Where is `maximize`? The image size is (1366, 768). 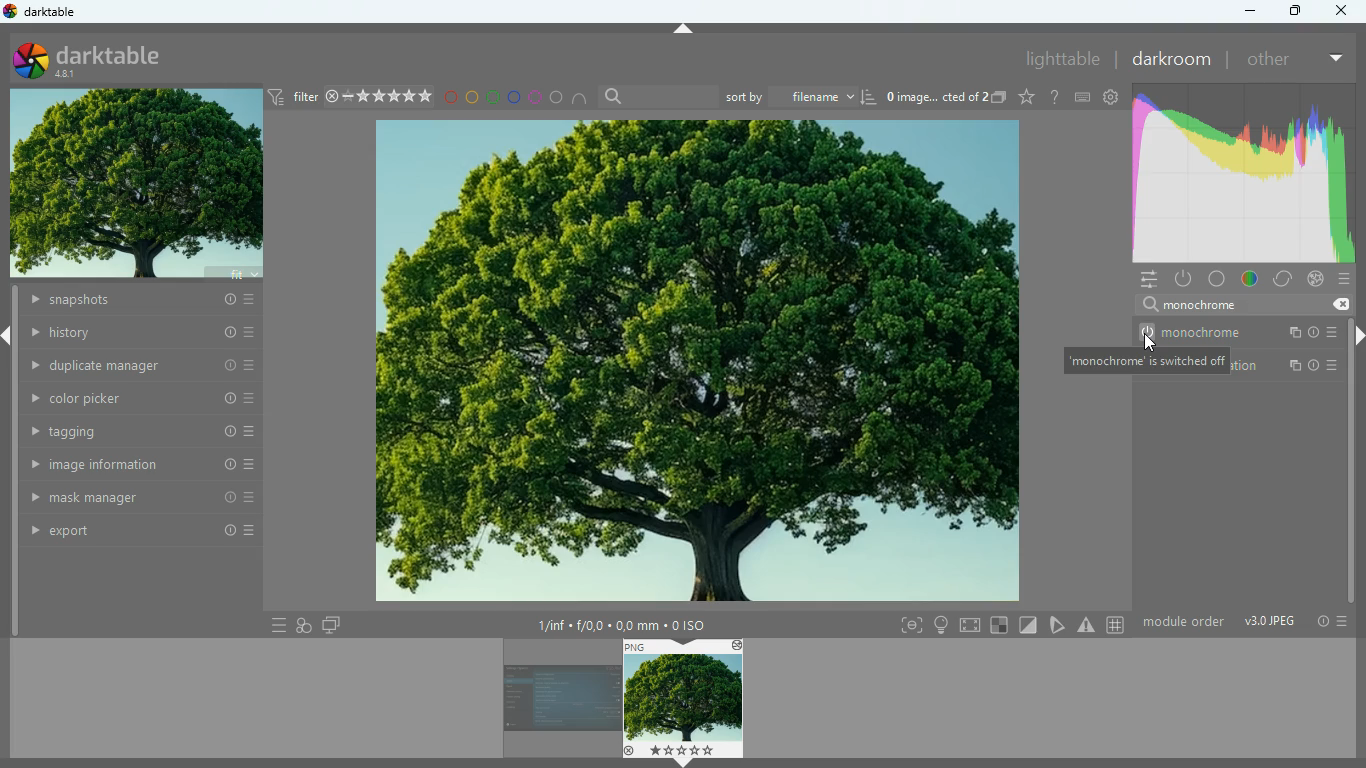
maximize is located at coordinates (1293, 11).